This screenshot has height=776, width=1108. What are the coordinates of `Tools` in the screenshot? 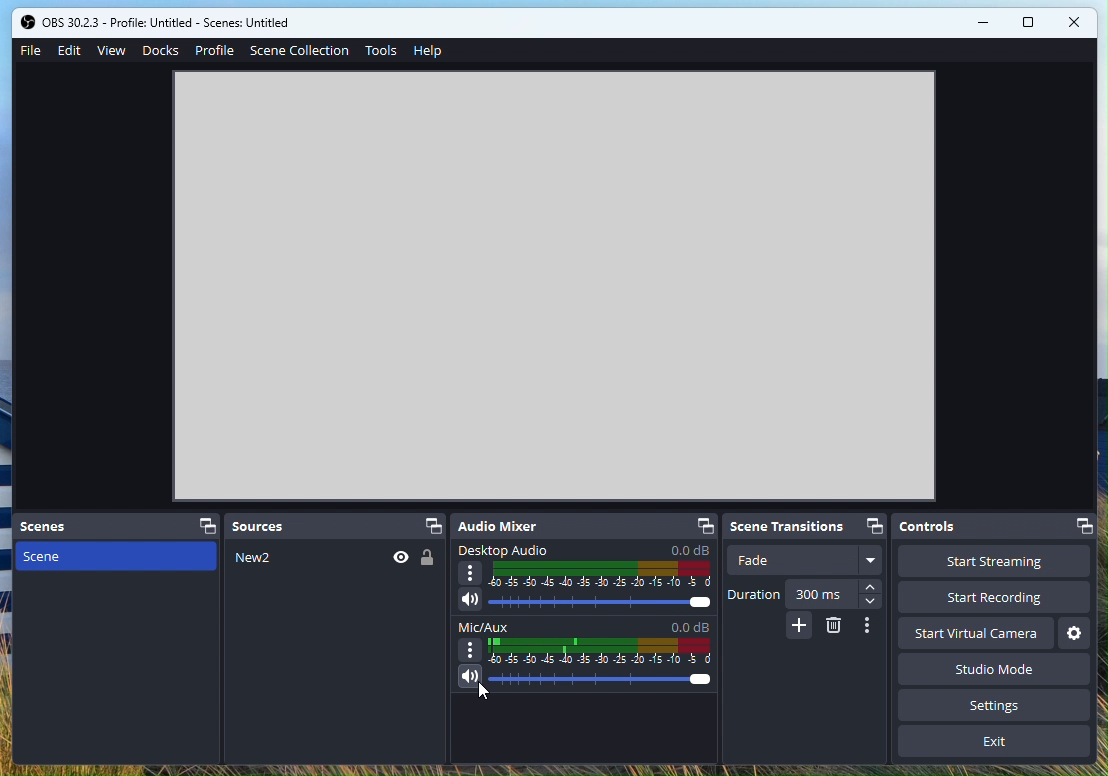 It's located at (381, 51).